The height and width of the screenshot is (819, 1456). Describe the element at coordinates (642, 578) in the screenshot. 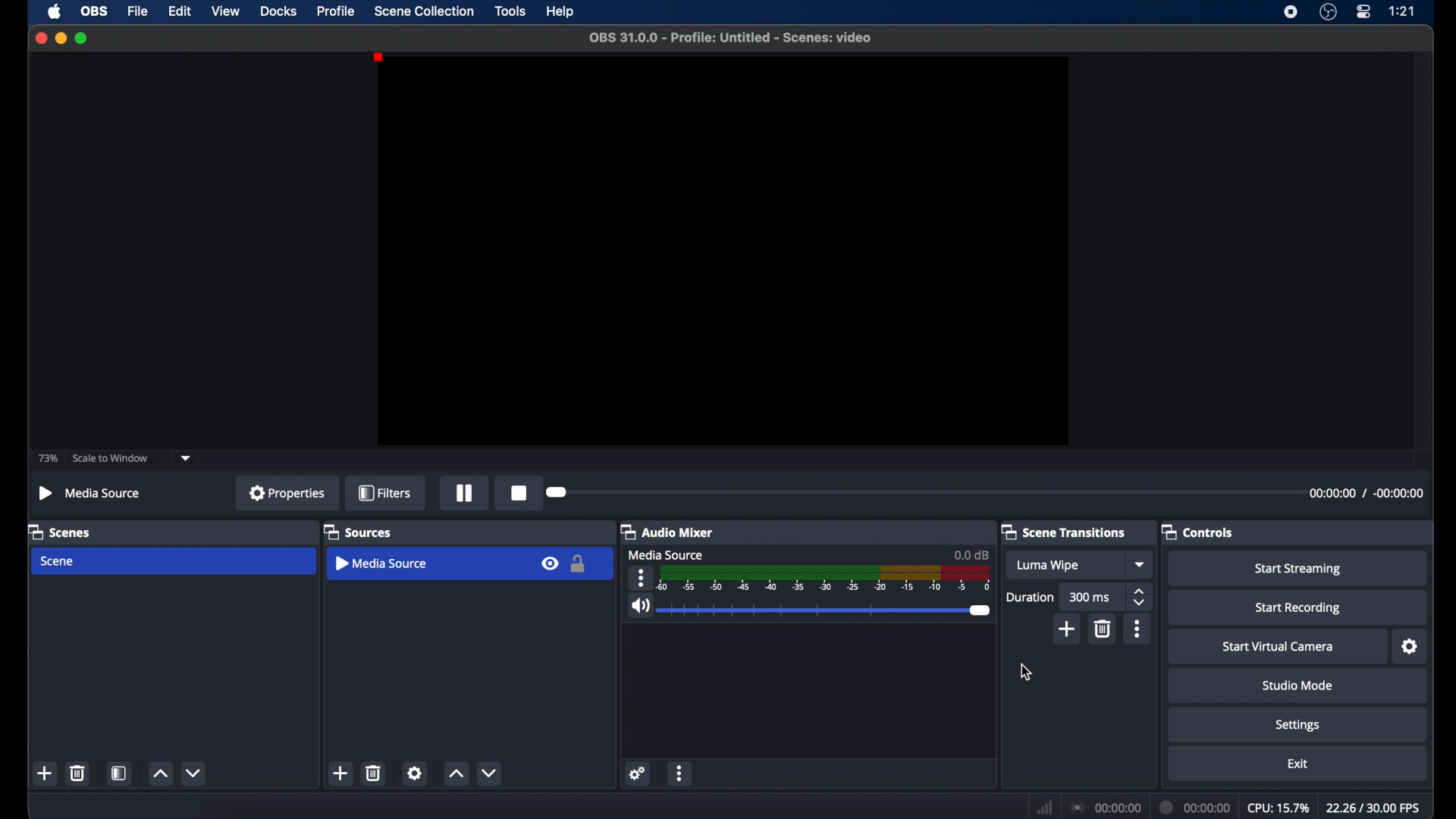

I see `more options` at that location.